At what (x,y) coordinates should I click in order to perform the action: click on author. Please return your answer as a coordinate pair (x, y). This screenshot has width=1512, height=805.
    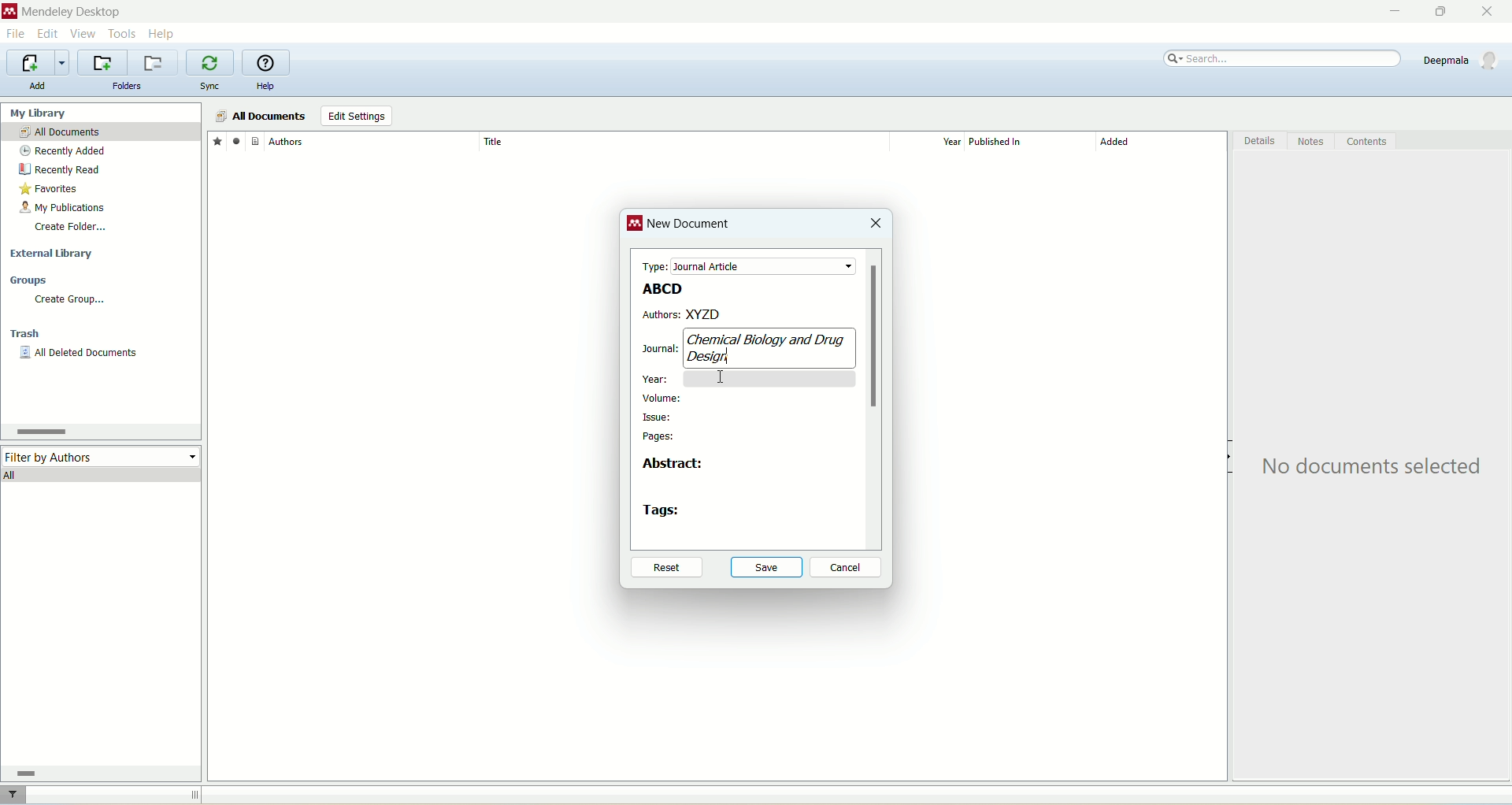
    Looking at the image, I should click on (373, 142).